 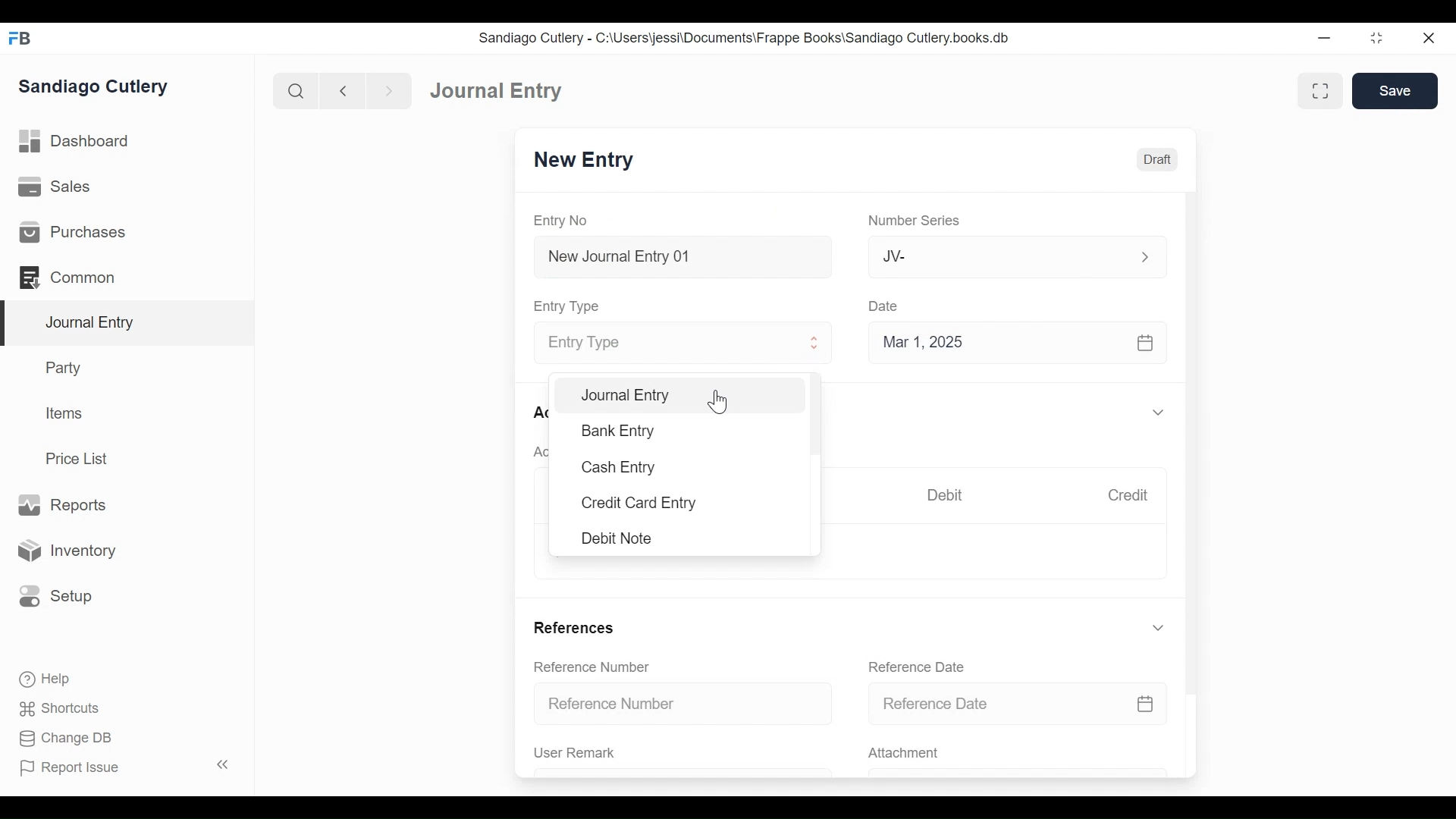 What do you see at coordinates (127, 231) in the screenshot?
I see `Purchases` at bounding box center [127, 231].